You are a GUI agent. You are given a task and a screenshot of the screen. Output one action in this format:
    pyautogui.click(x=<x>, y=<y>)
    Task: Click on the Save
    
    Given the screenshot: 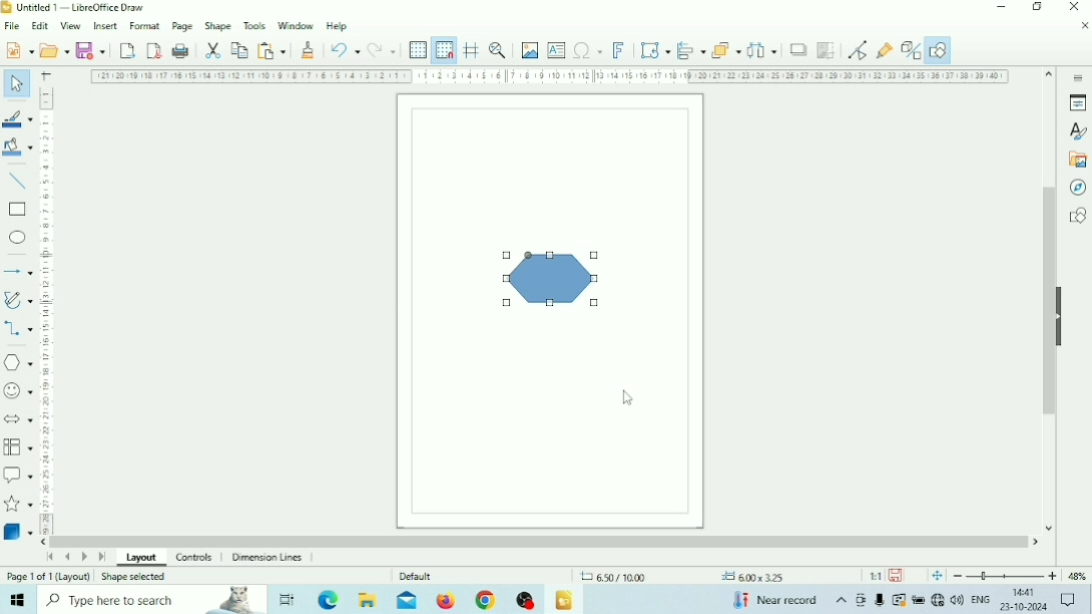 What is the action you would take?
    pyautogui.click(x=91, y=49)
    